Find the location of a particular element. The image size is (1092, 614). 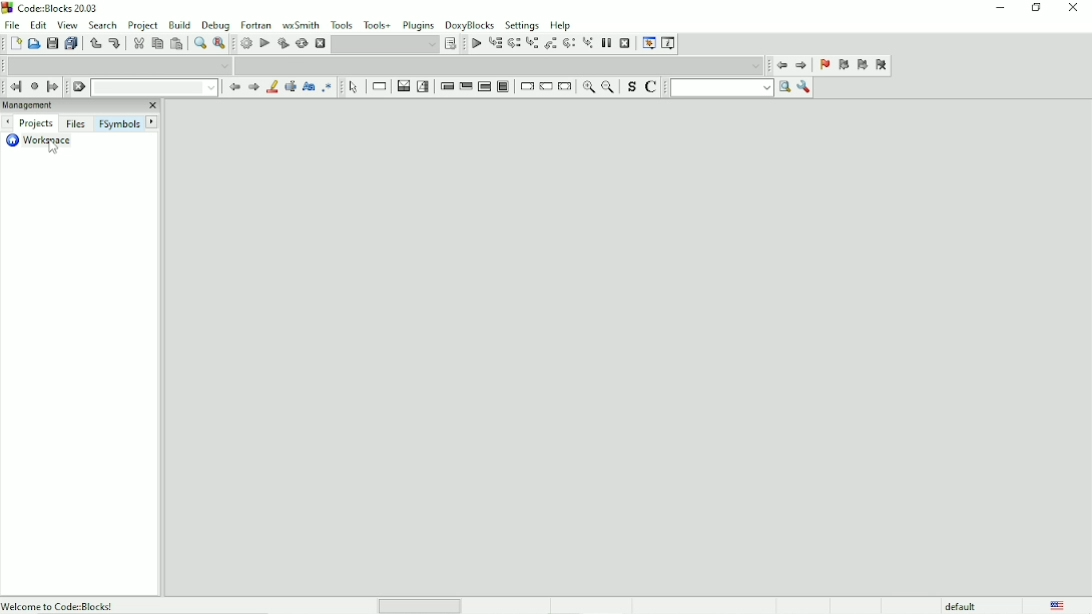

Run to cursor is located at coordinates (496, 45).